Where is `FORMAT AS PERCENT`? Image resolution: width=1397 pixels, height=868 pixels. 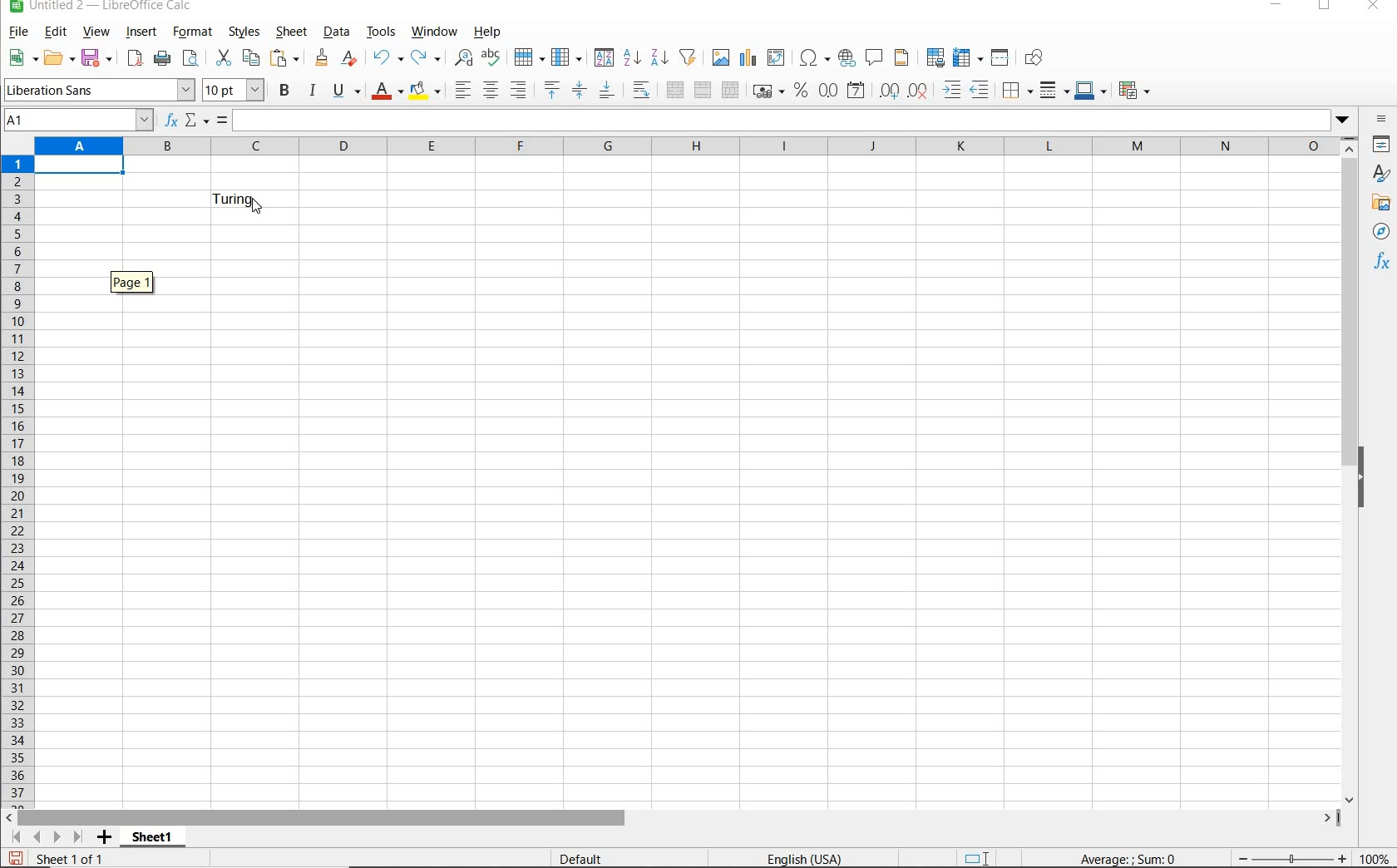 FORMAT AS PERCENT is located at coordinates (802, 91).